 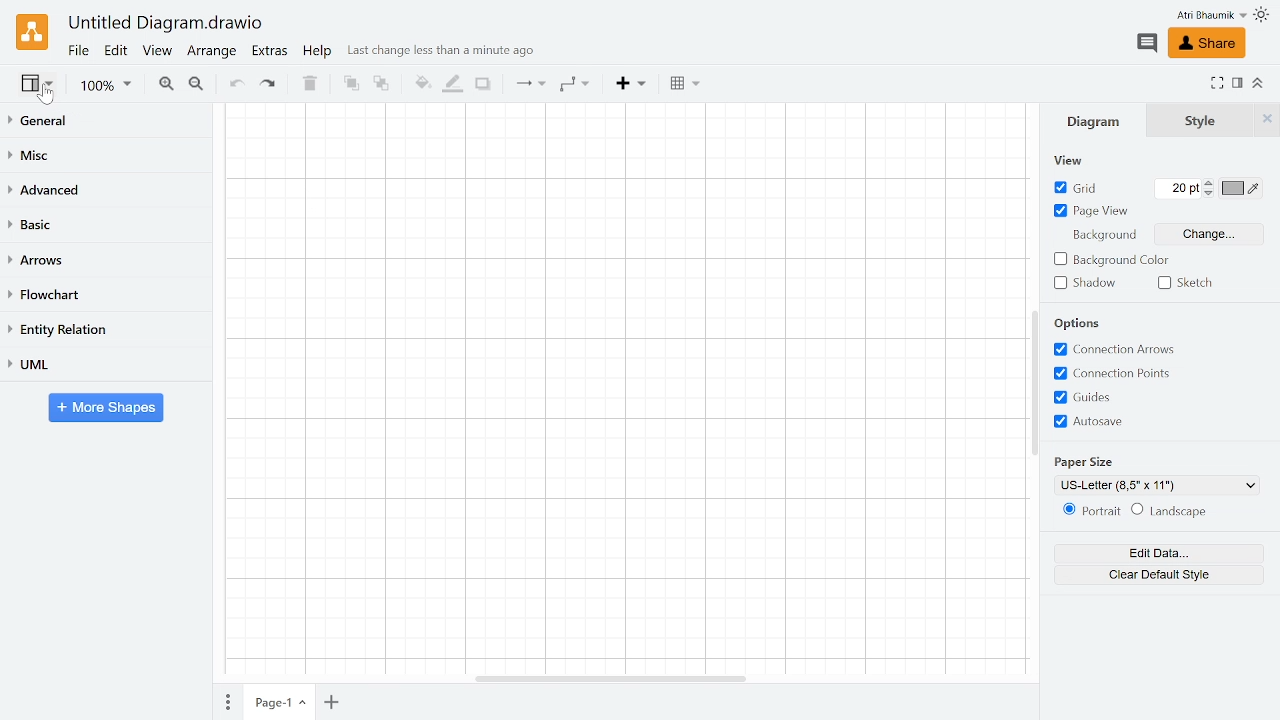 What do you see at coordinates (1091, 212) in the screenshot?
I see `page view` at bounding box center [1091, 212].